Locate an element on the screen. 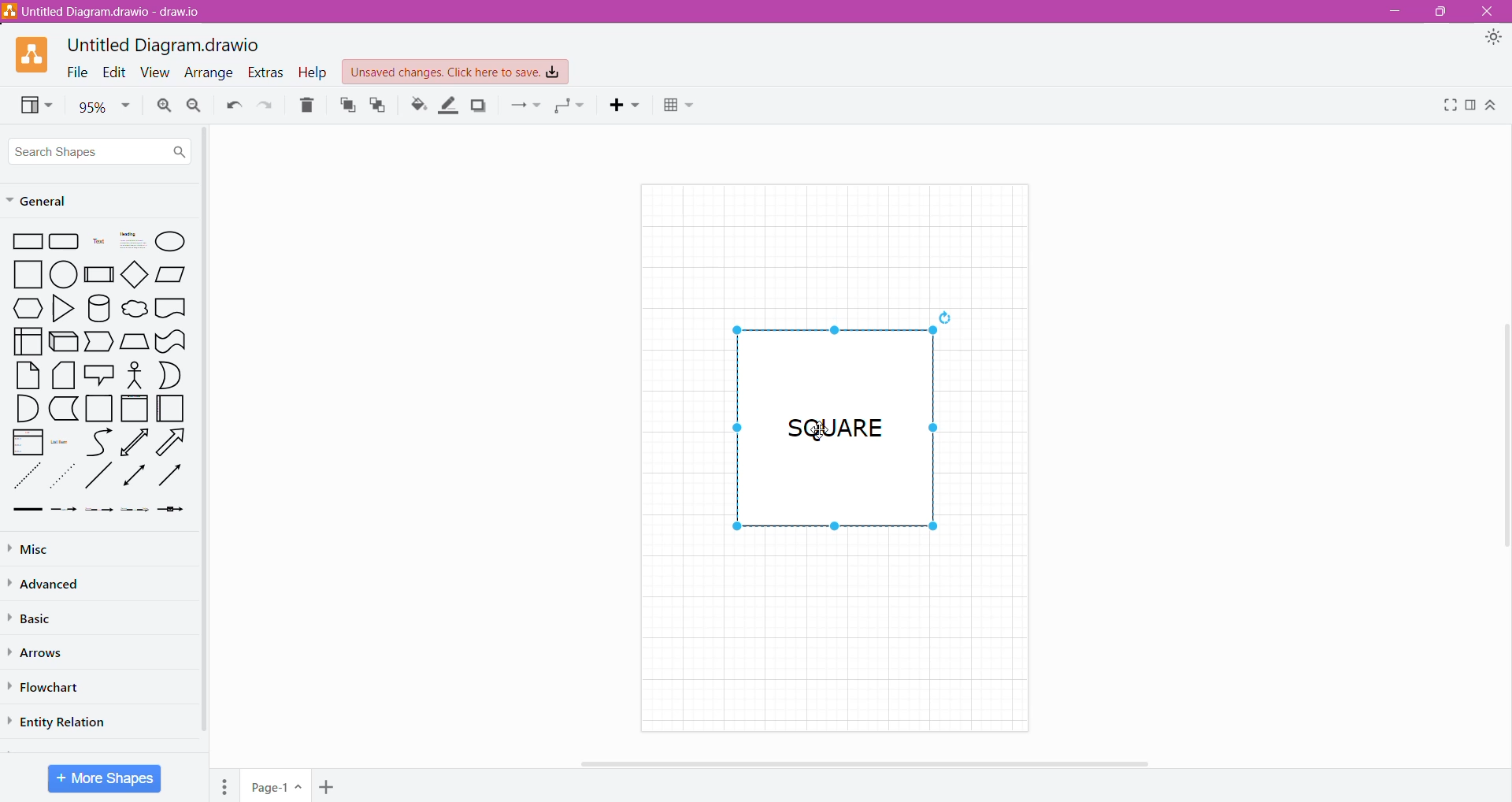  Stick Figure  is located at coordinates (135, 375).